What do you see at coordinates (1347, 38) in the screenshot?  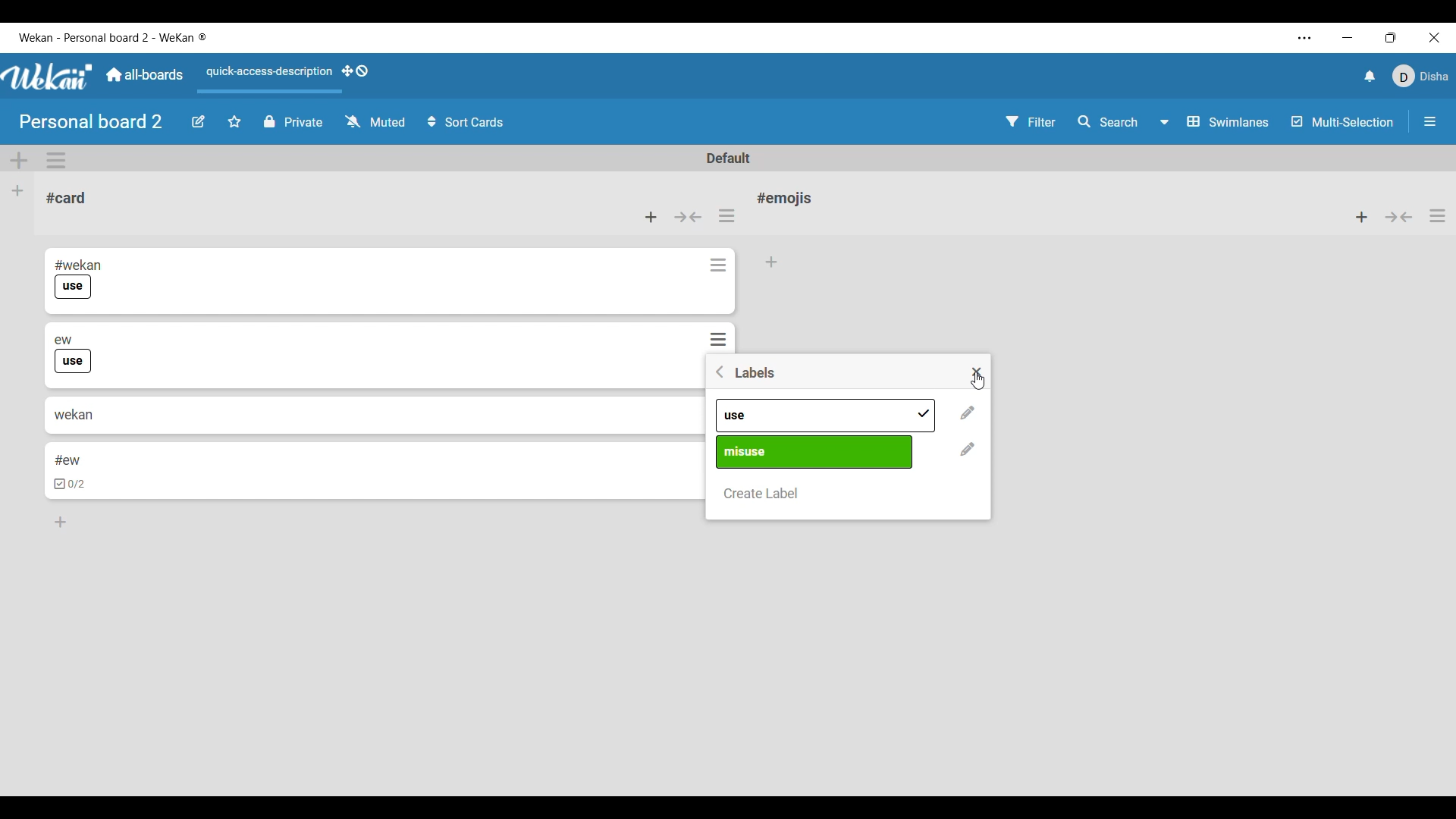 I see `Minimize` at bounding box center [1347, 38].